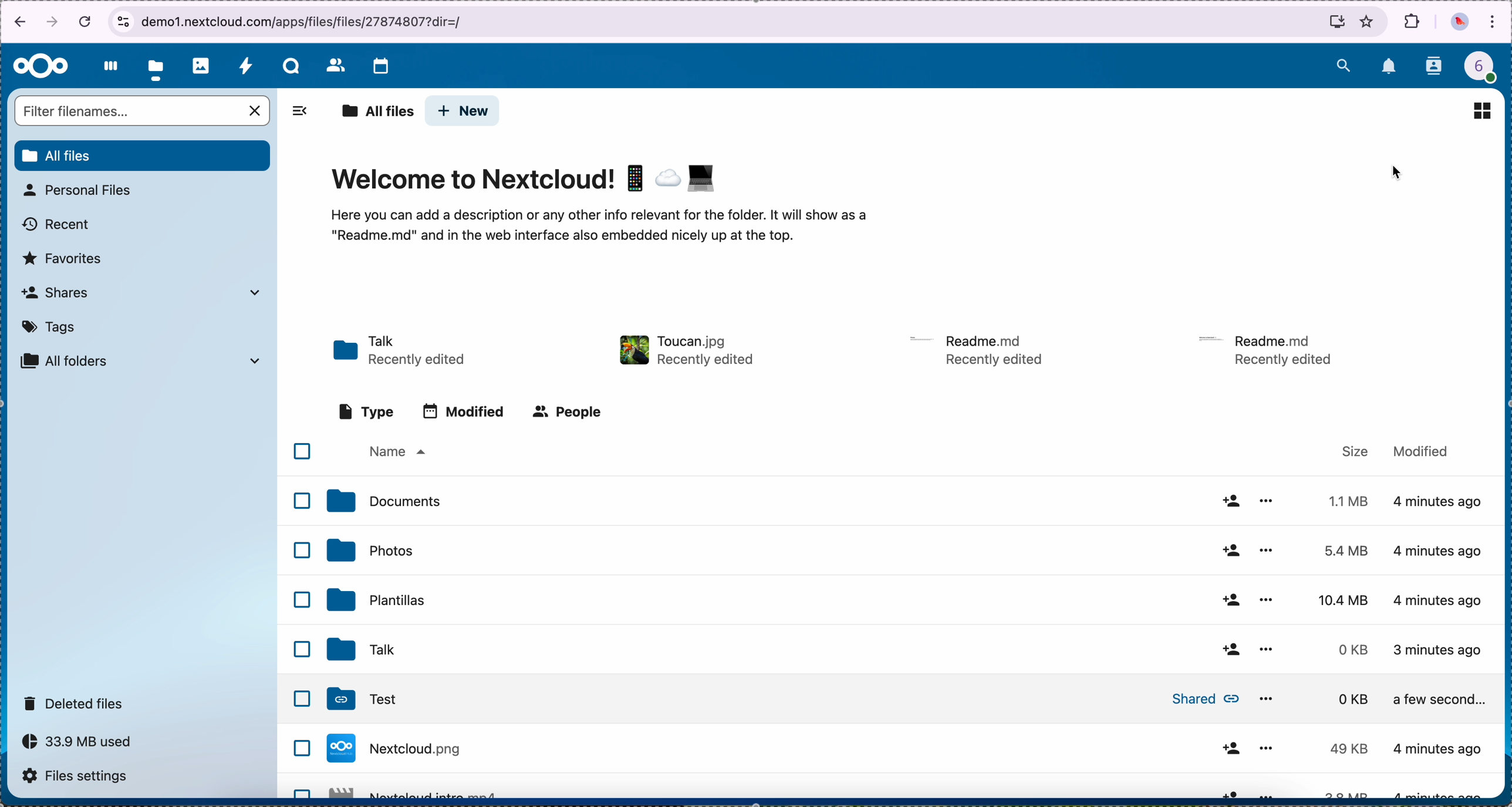 Image resolution: width=1512 pixels, height=807 pixels. Describe the element at coordinates (1440, 600) in the screenshot. I see `4 minutes ago` at that location.